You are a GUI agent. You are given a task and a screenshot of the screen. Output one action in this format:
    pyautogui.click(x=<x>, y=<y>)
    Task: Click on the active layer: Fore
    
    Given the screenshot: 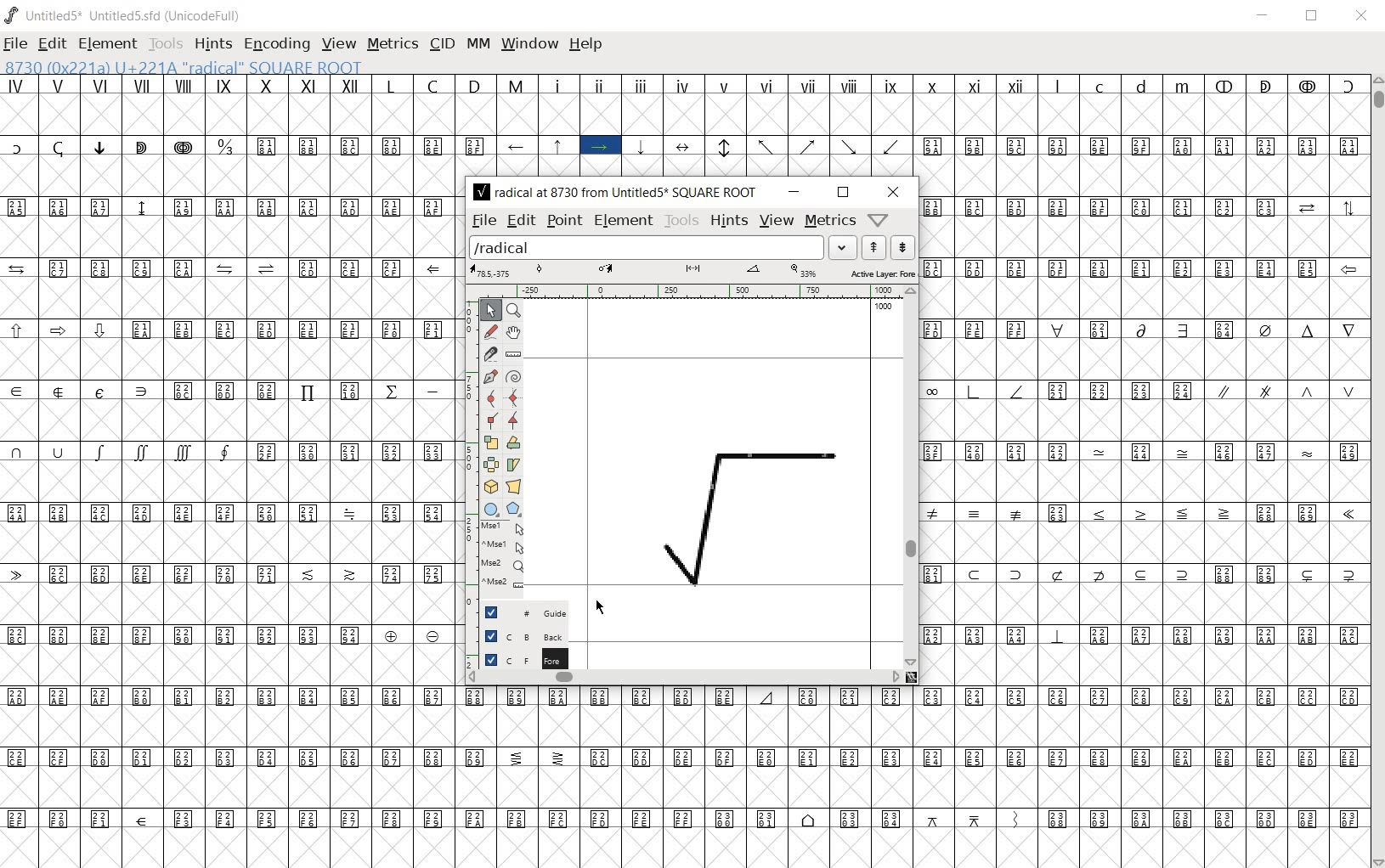 What is the action you would take?
    pyautogui.click(x=692, y=270)
    